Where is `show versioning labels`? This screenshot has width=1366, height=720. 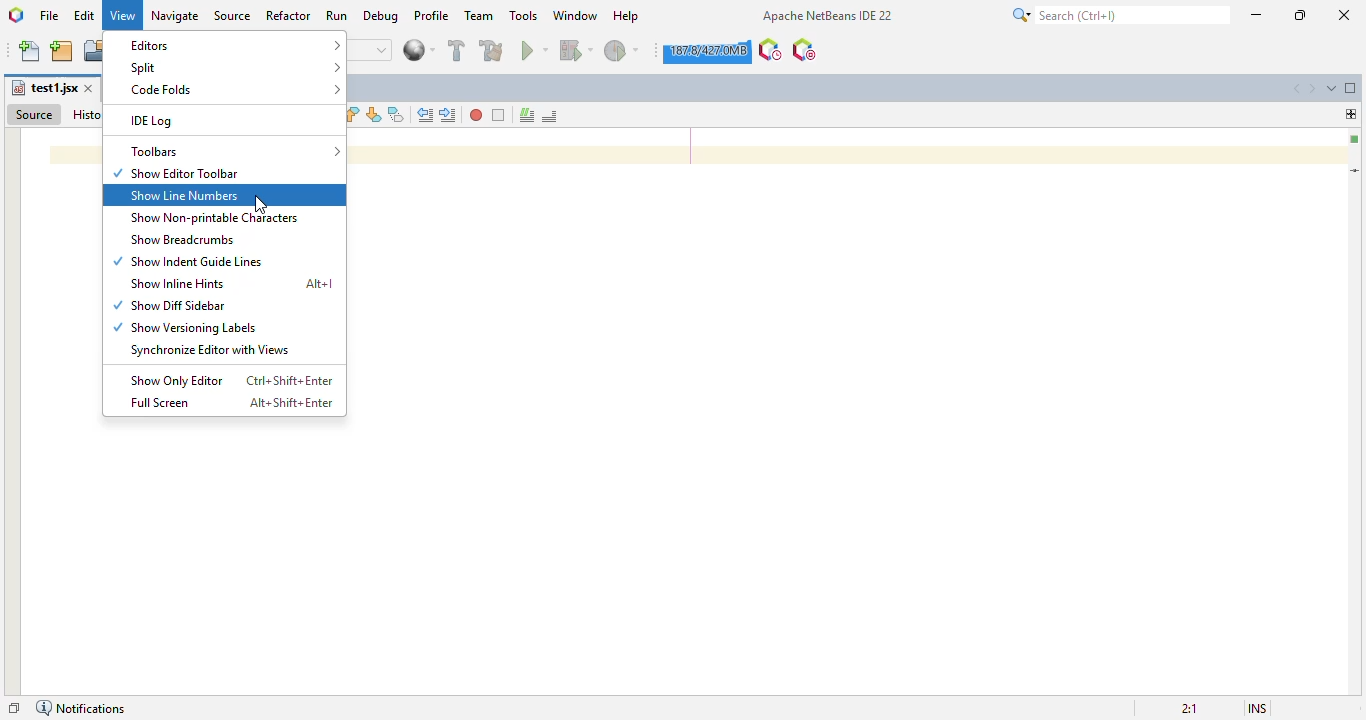 show versioning labels is located at coordinates (186, 328).